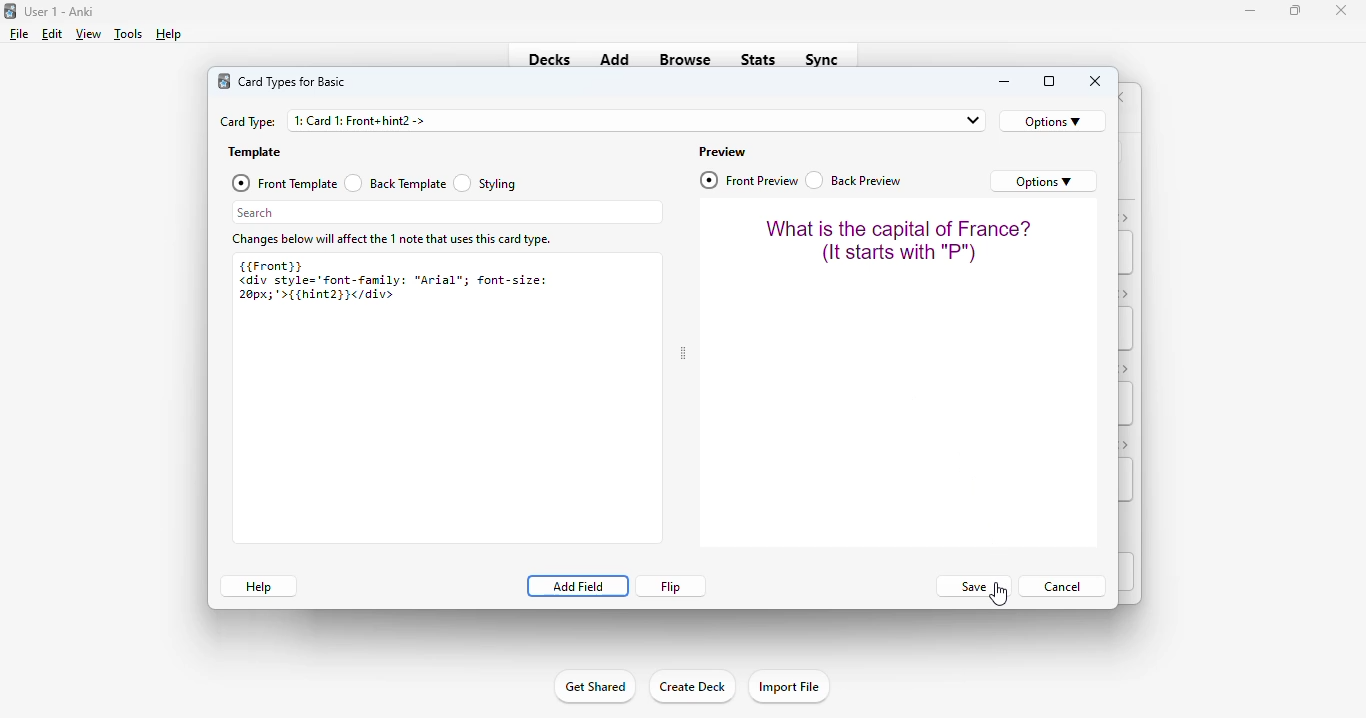 The width and height of the screenshot is (1366, 718). Describe the element at coordinates (594, 686) in the screenshot. I see `get shared` at that location.